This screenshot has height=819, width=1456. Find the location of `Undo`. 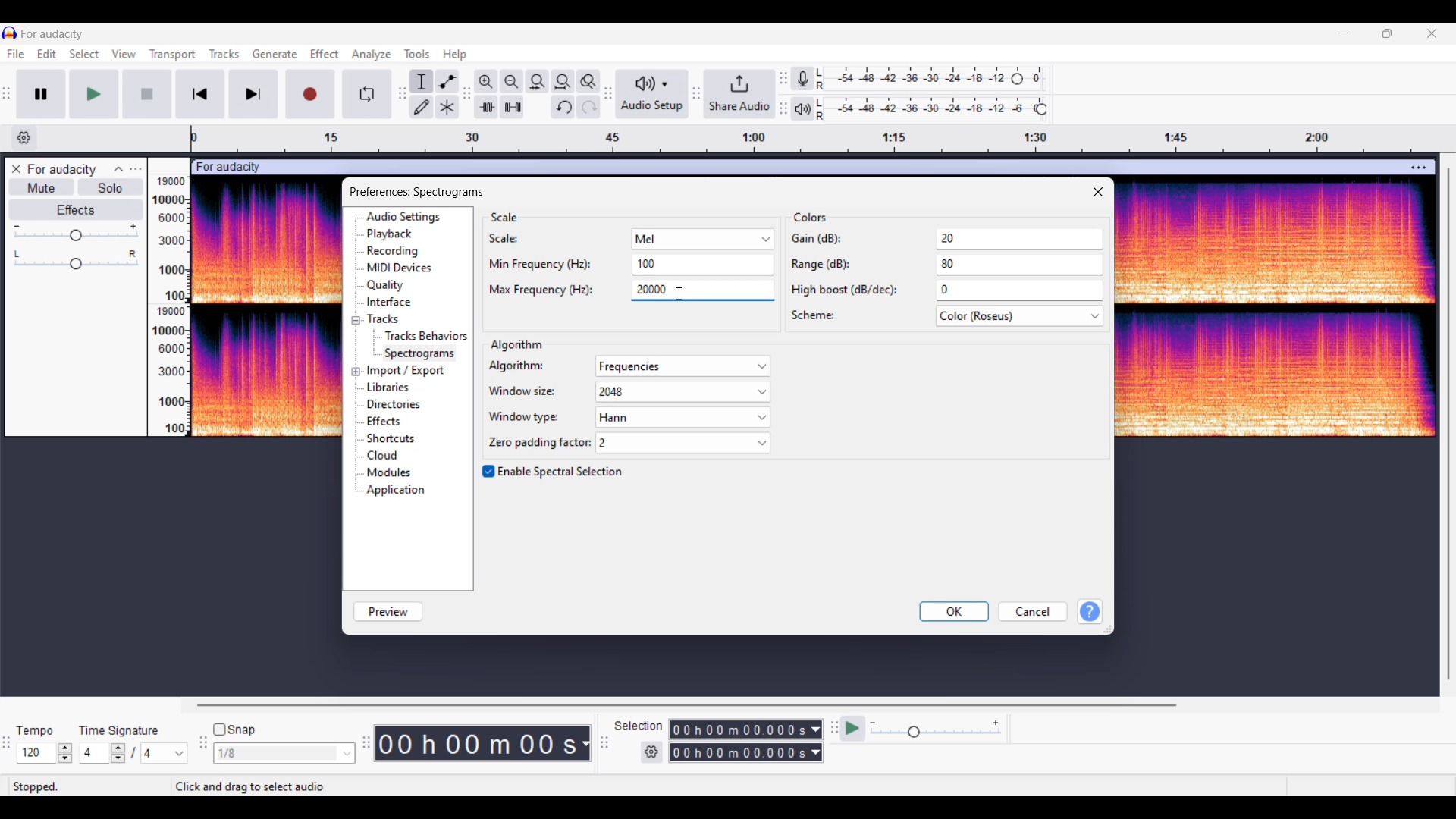

Undo is located at coordinates (563, 107).